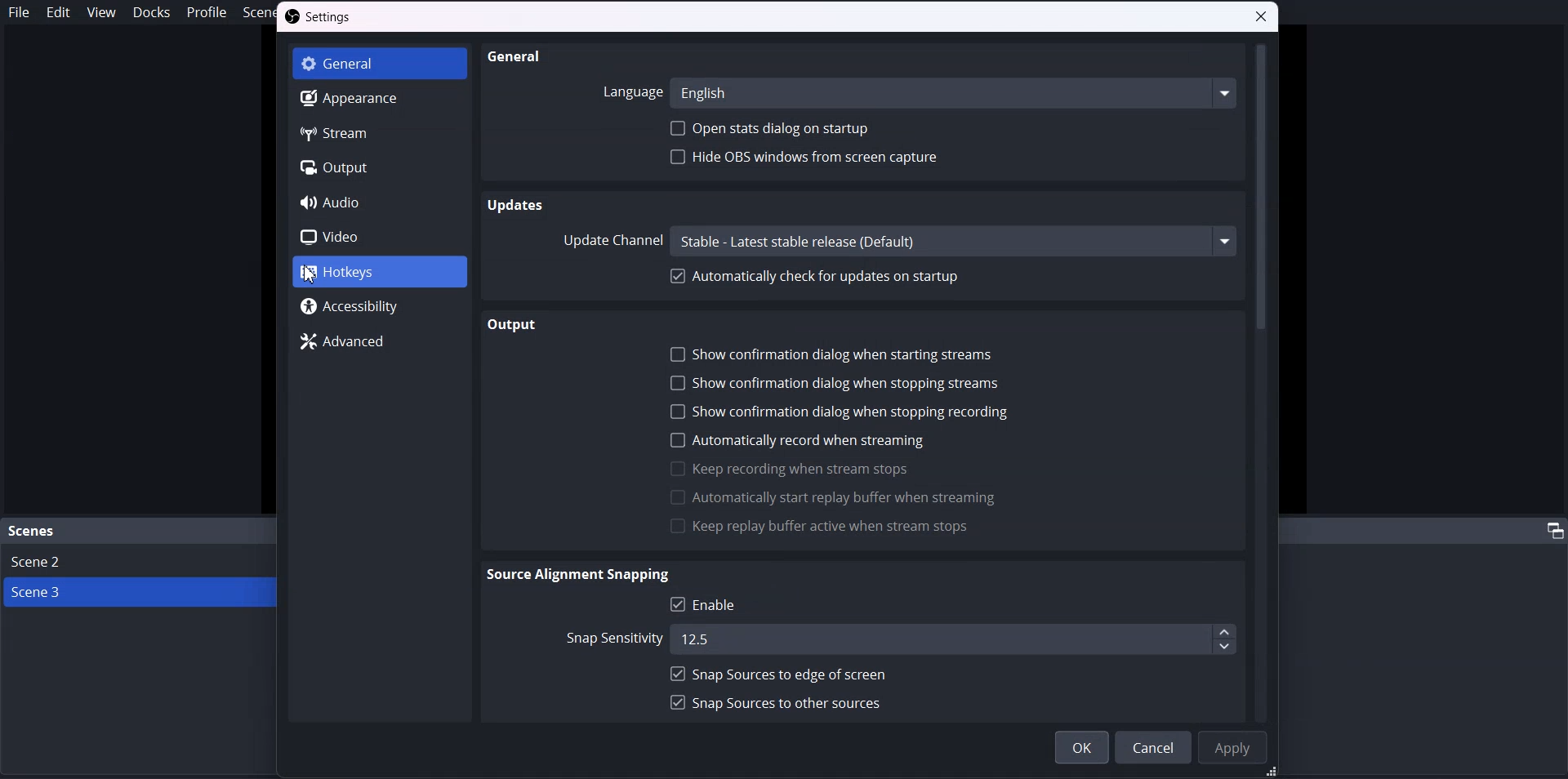 This screenshot has width=1568, height=779. What do you see at coordinates (514, 324) in the screenshot?
I see `Output` at bounding box center [514, 324].